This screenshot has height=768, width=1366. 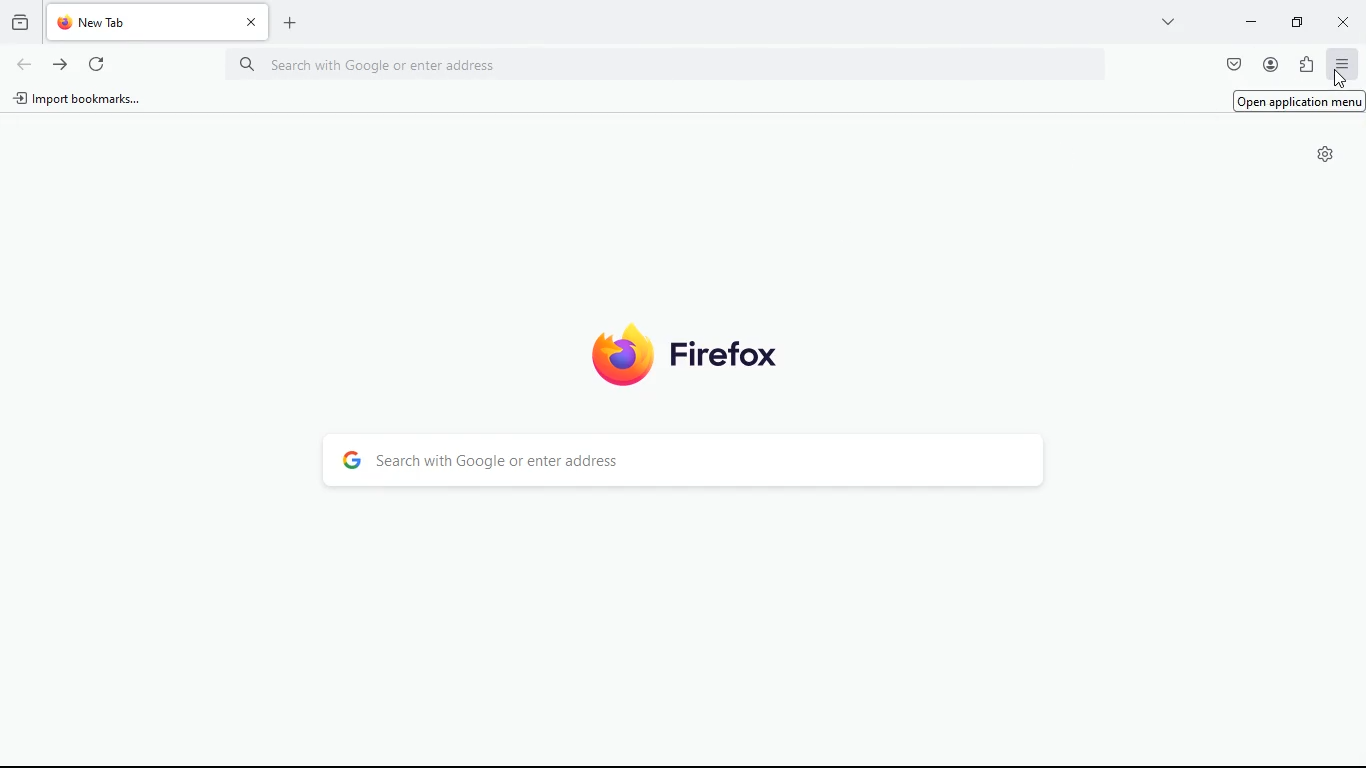 What do you see at coordinates (690, 356) in the screenshot?
I see `firefox` at bounding box center [690, 356].